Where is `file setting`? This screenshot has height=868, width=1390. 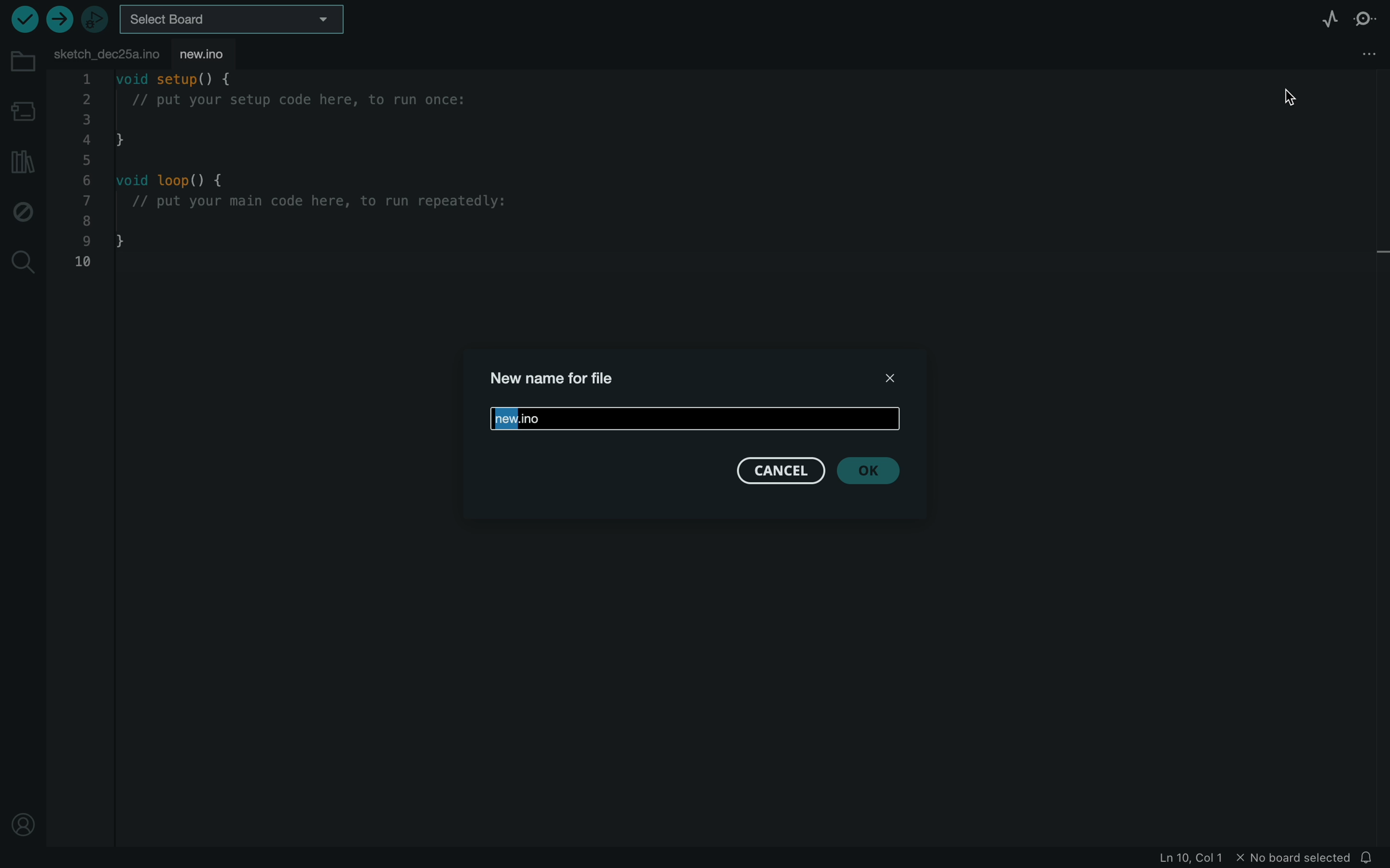
file setting is located at coordinates (1358, 53).